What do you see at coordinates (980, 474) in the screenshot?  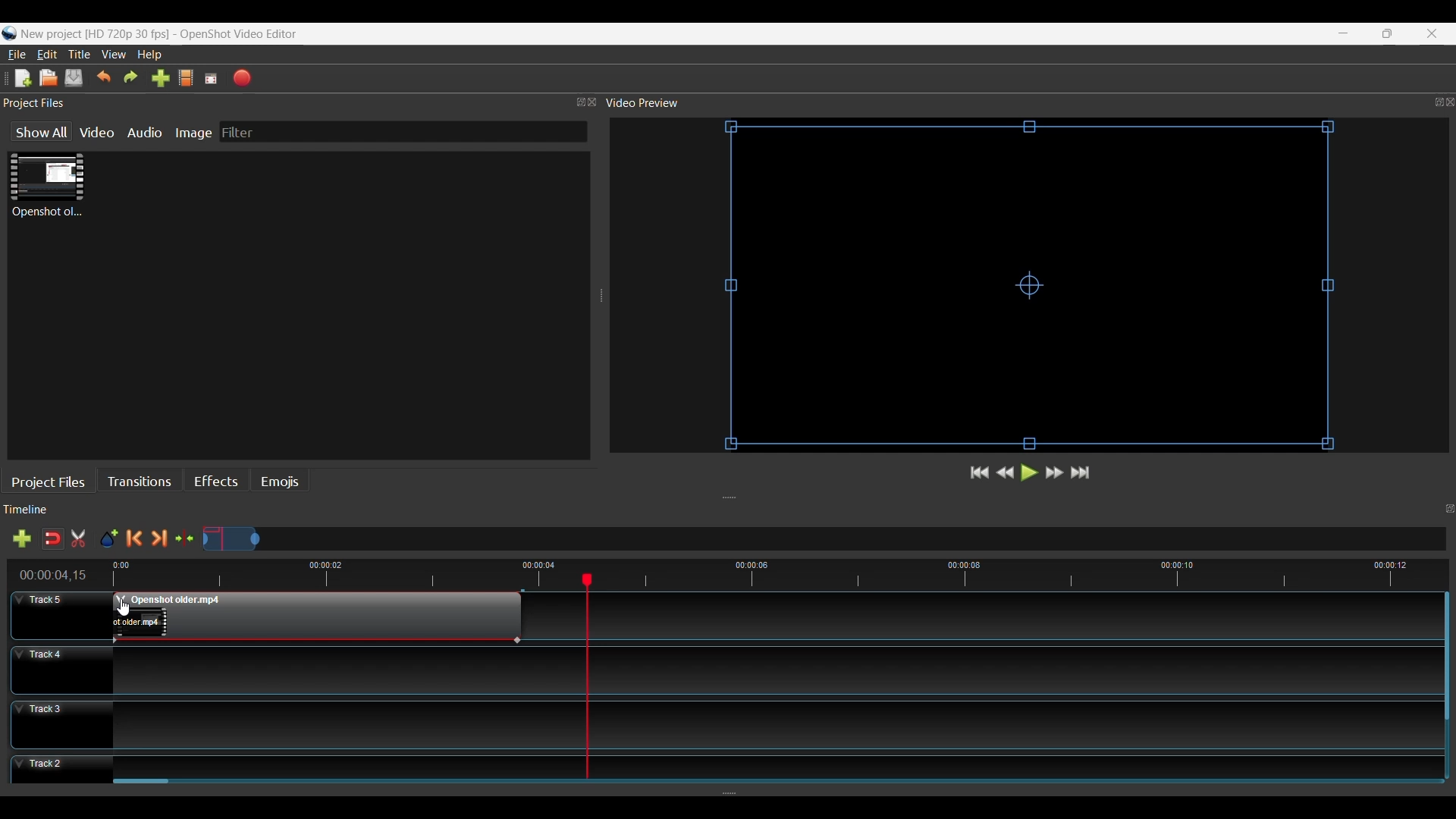 I see `Jump to Forward` at bounding box center [980, 474].